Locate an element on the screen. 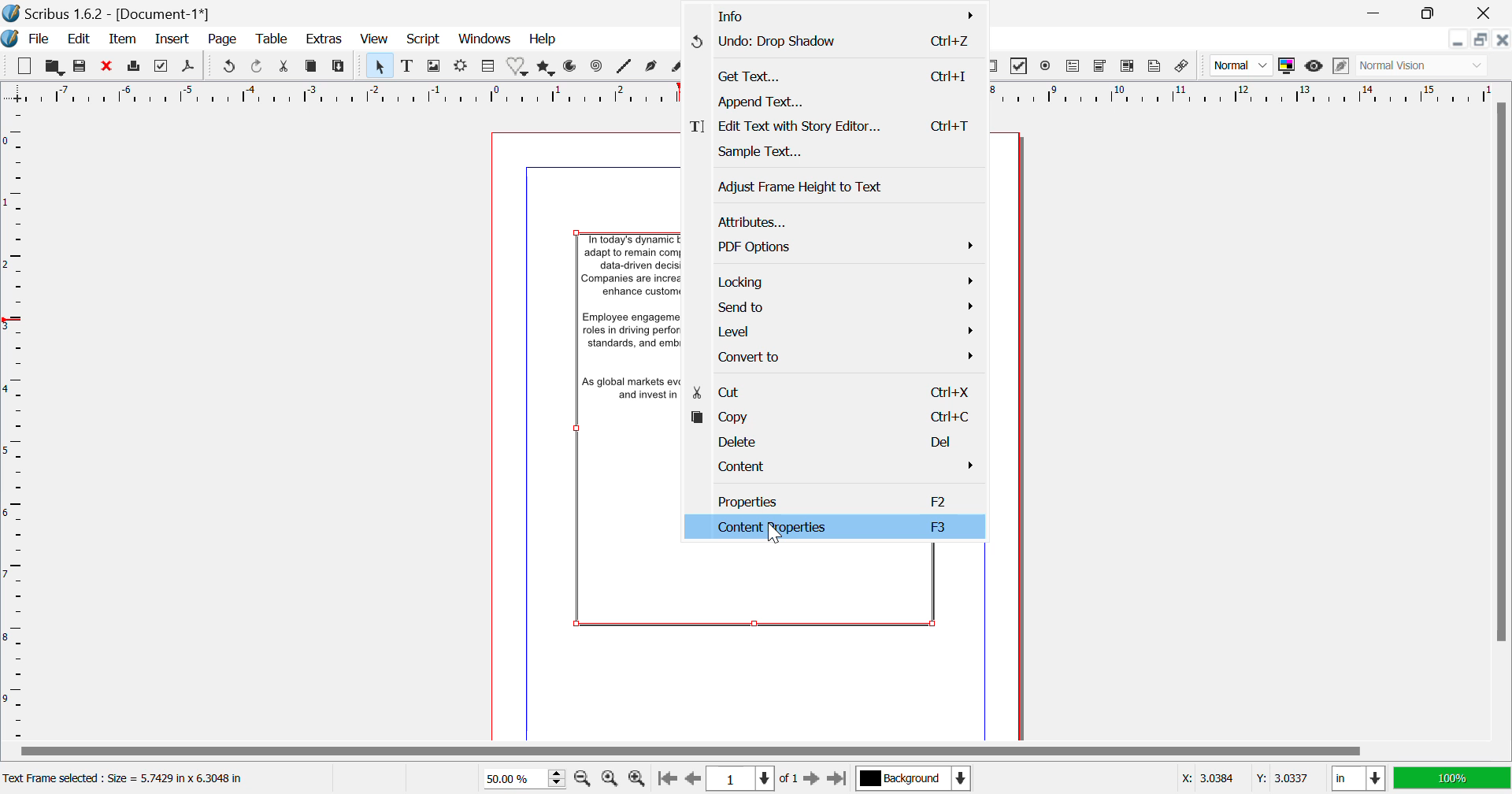 The image size is (1512, 794). Text Frame is located at coordinates (407, 66).